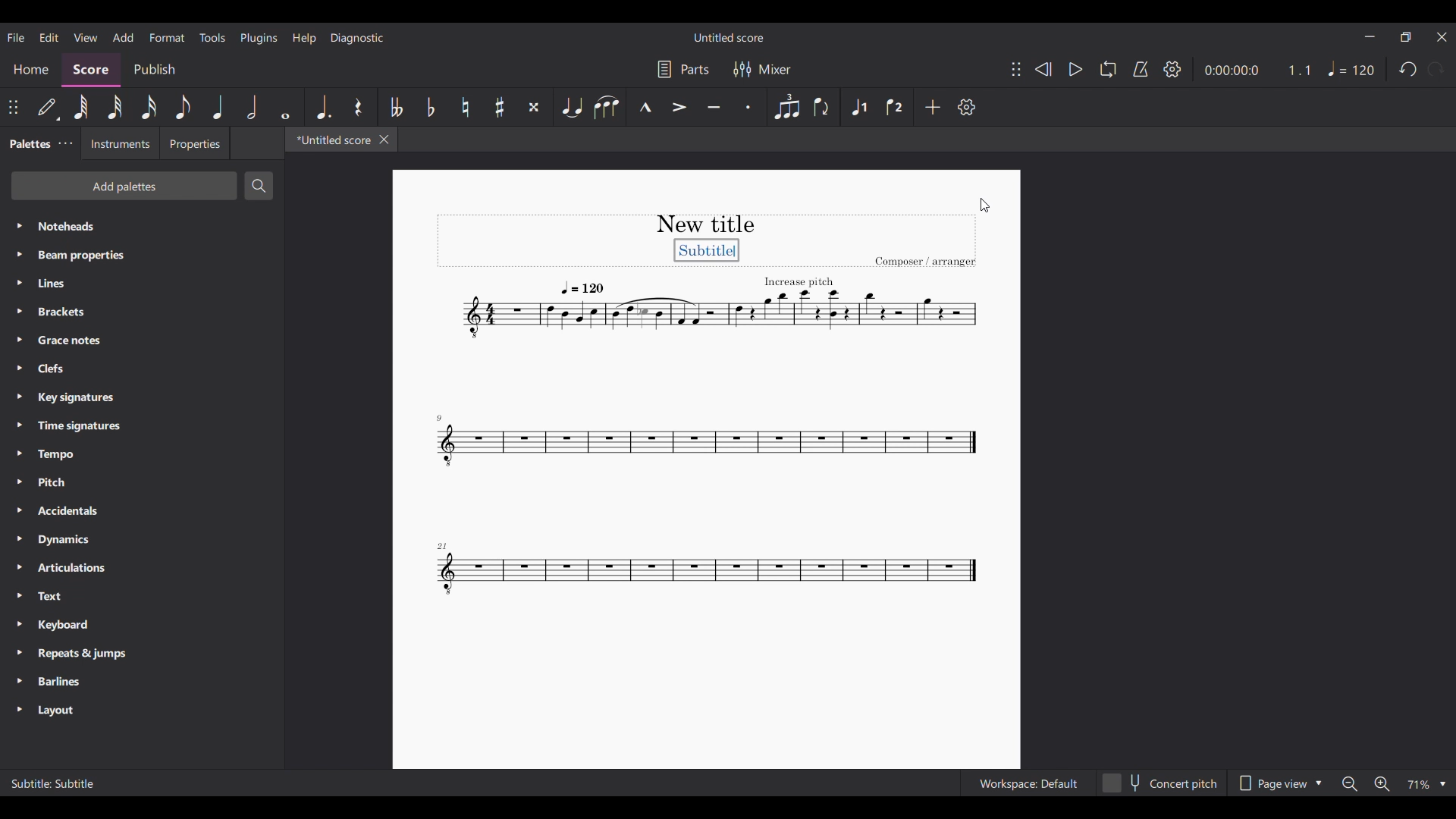 Image resolution: width=1456 pixels, height=819 pixels. Describe the element at coordinates (1370, 36) in the screenshot. I see `Minimize` at that location.